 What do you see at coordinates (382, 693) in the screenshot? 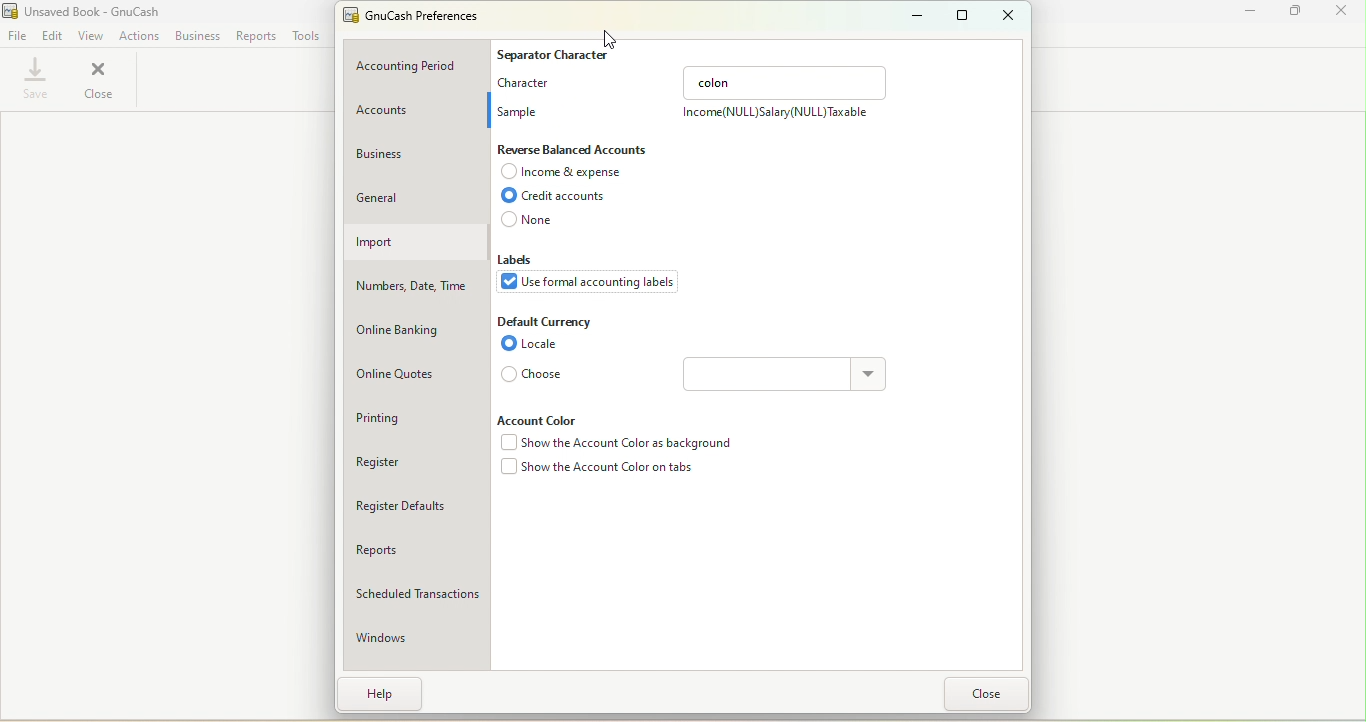
I see `Help` at bounding box center [382, 693].